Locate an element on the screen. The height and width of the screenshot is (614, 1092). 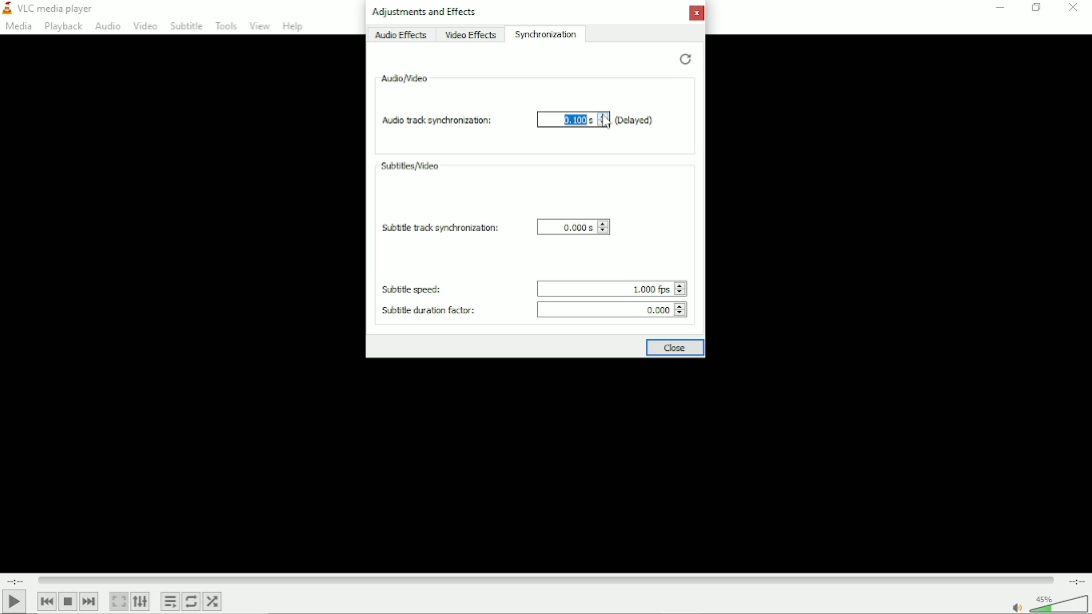
Toggle video in fullscreen is located at coordinates (119, 601).